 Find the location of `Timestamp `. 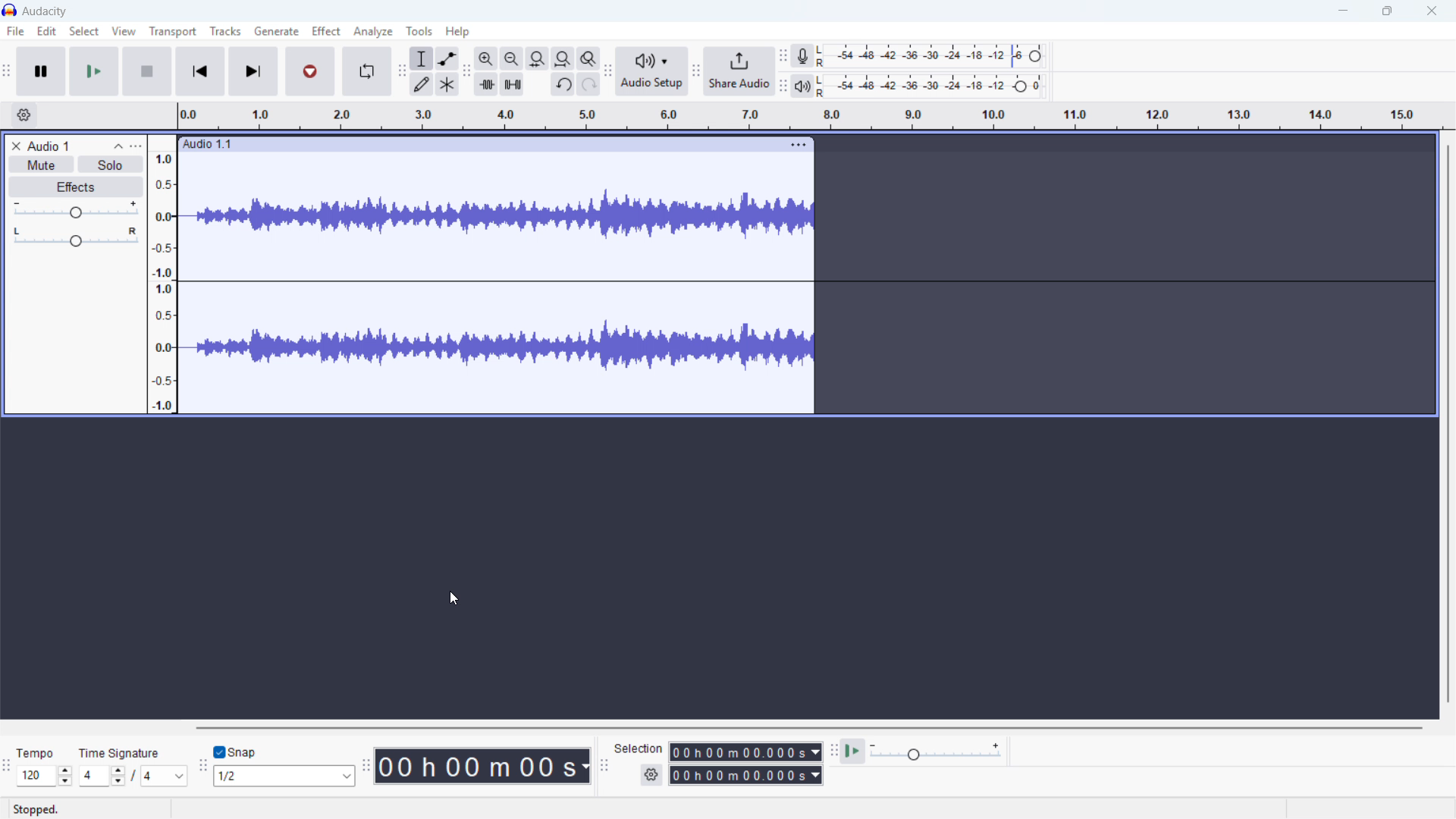

Timestamp  is located at coordinates (484, 767).